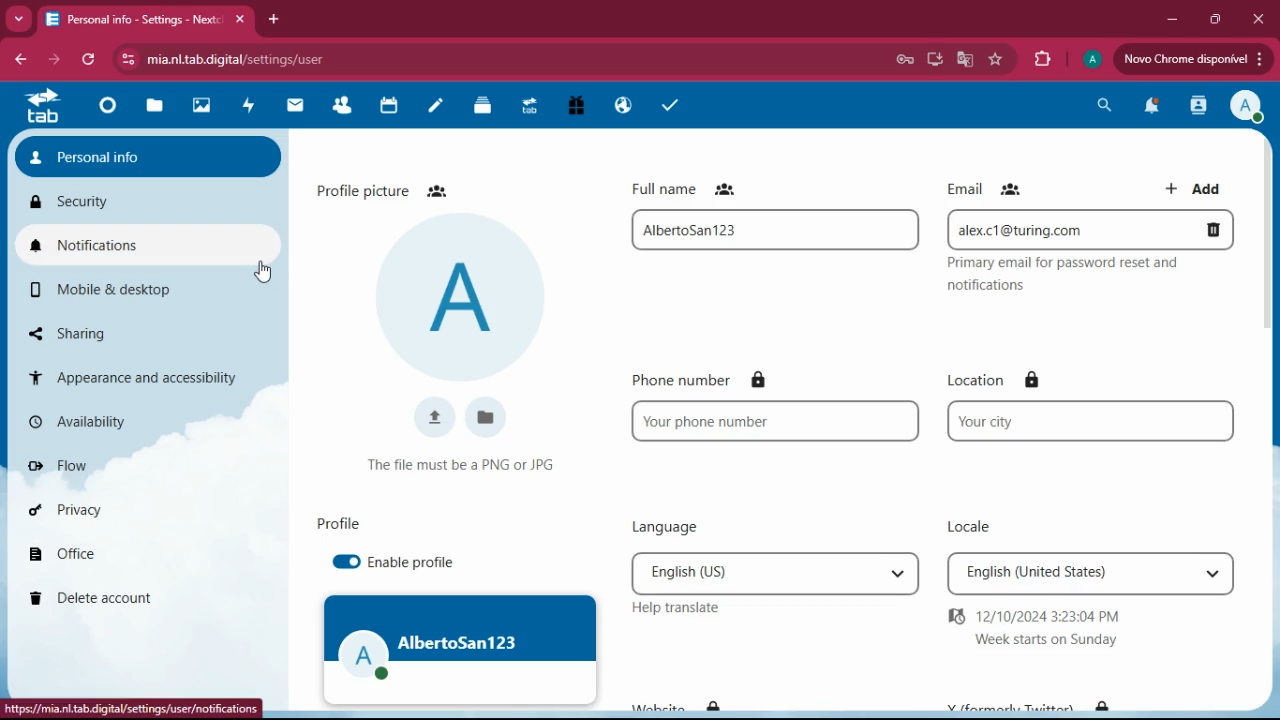 The image size is (1280, 720). What do you see at coordinates (137, 375) in the screenshot?
I see `appearance` at bounding box center [137, 375].